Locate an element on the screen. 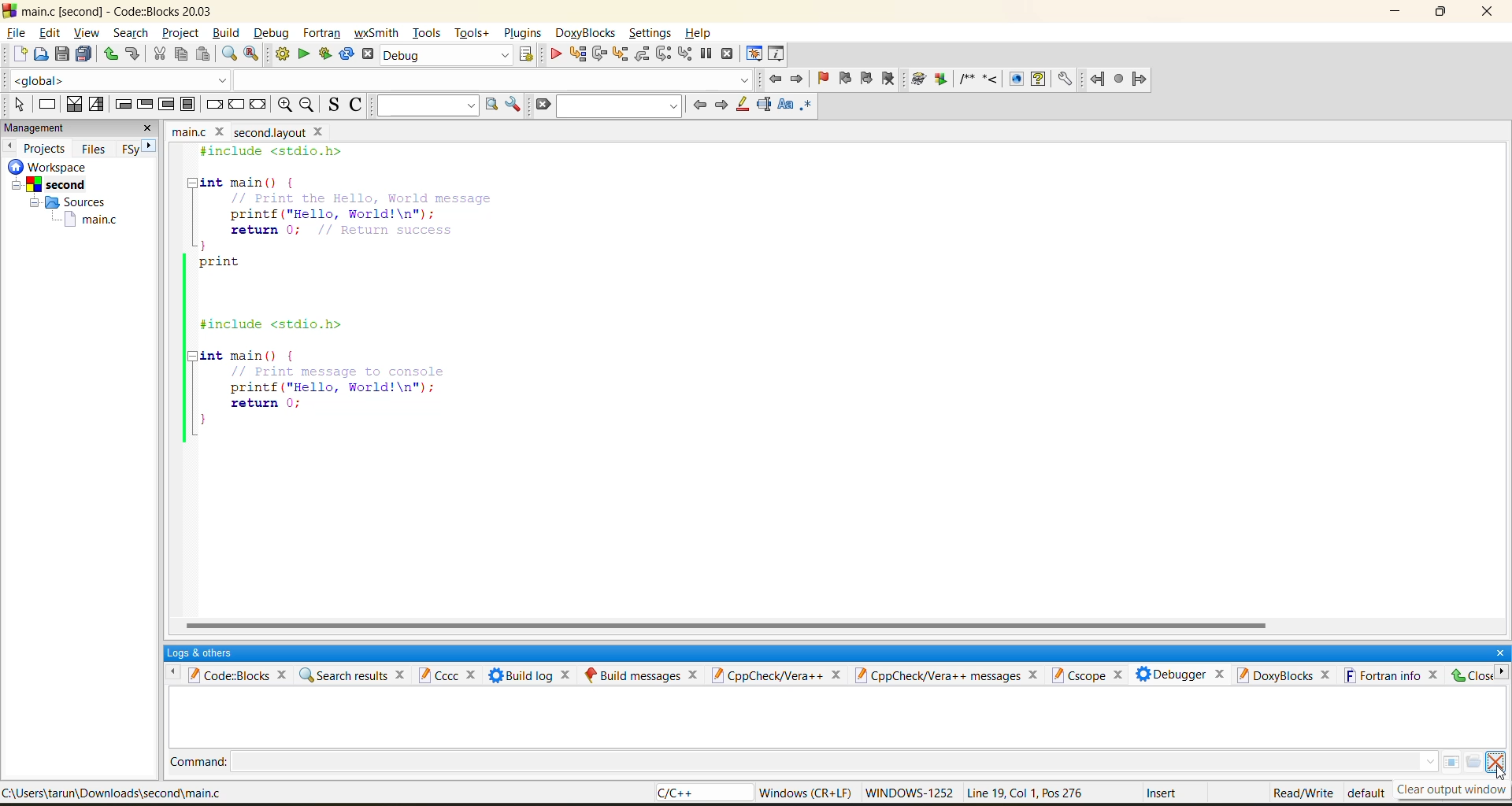 Image resolution: width=1512 pixels, height=806 pixels. Command: is located at coordinates (208, 763).